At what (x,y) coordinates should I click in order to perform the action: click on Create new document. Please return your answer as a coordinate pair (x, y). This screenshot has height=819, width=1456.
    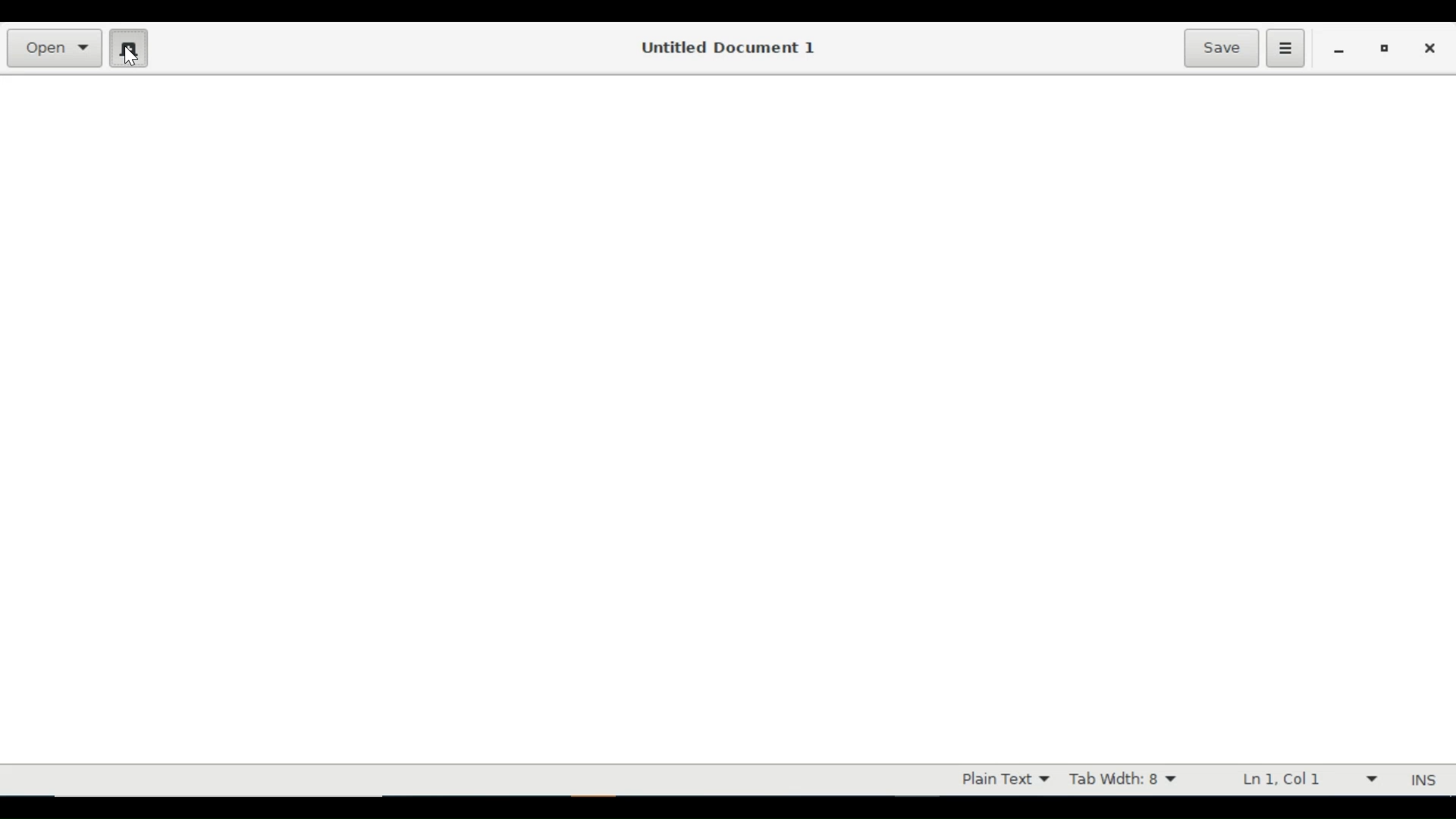
    Looking at the image, I should click on (128, 47).